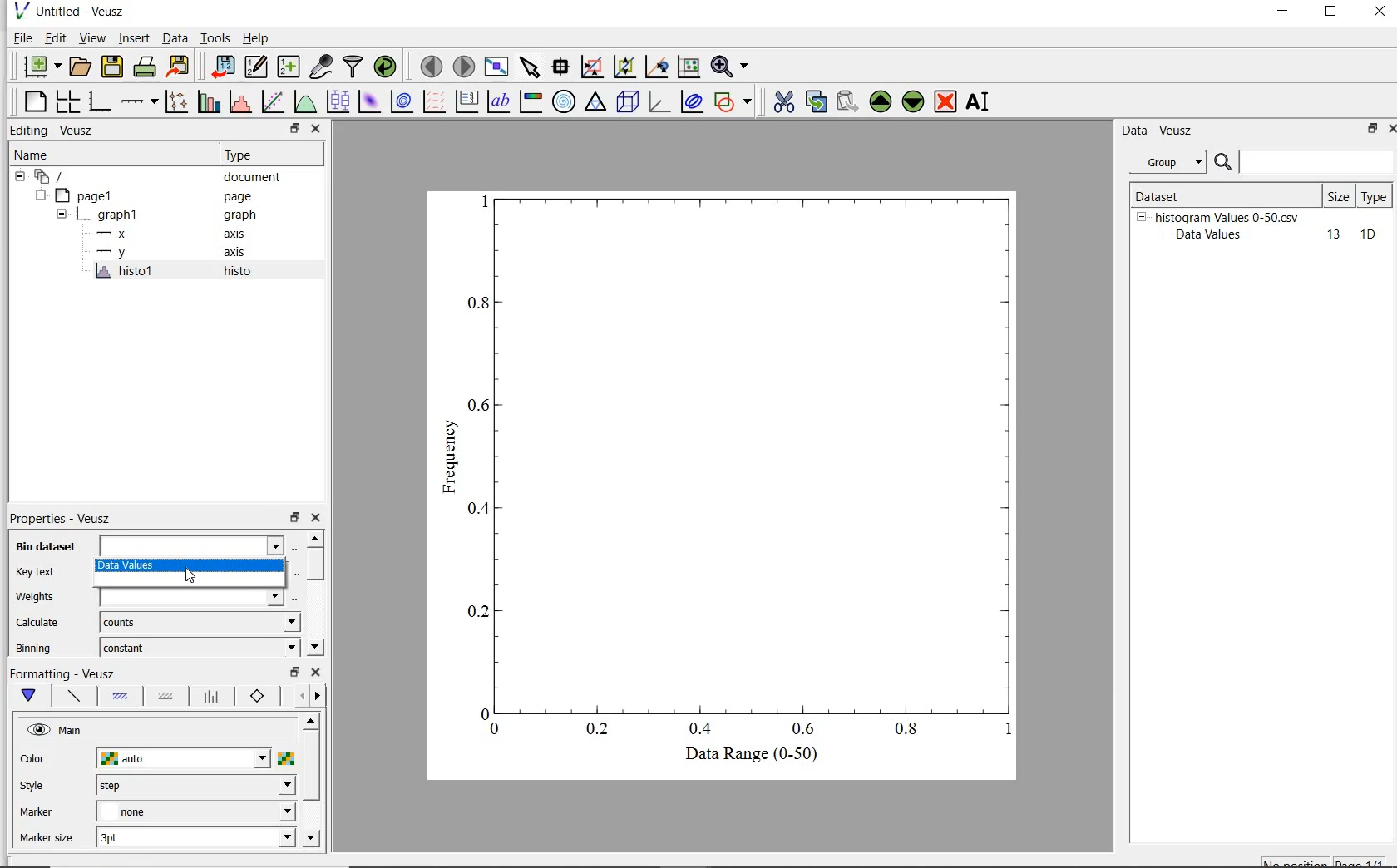 This screenshot has height=868, width=1397. Describe the element at coordinates (36, 787) in the screenshot. I see `Style` at that location.